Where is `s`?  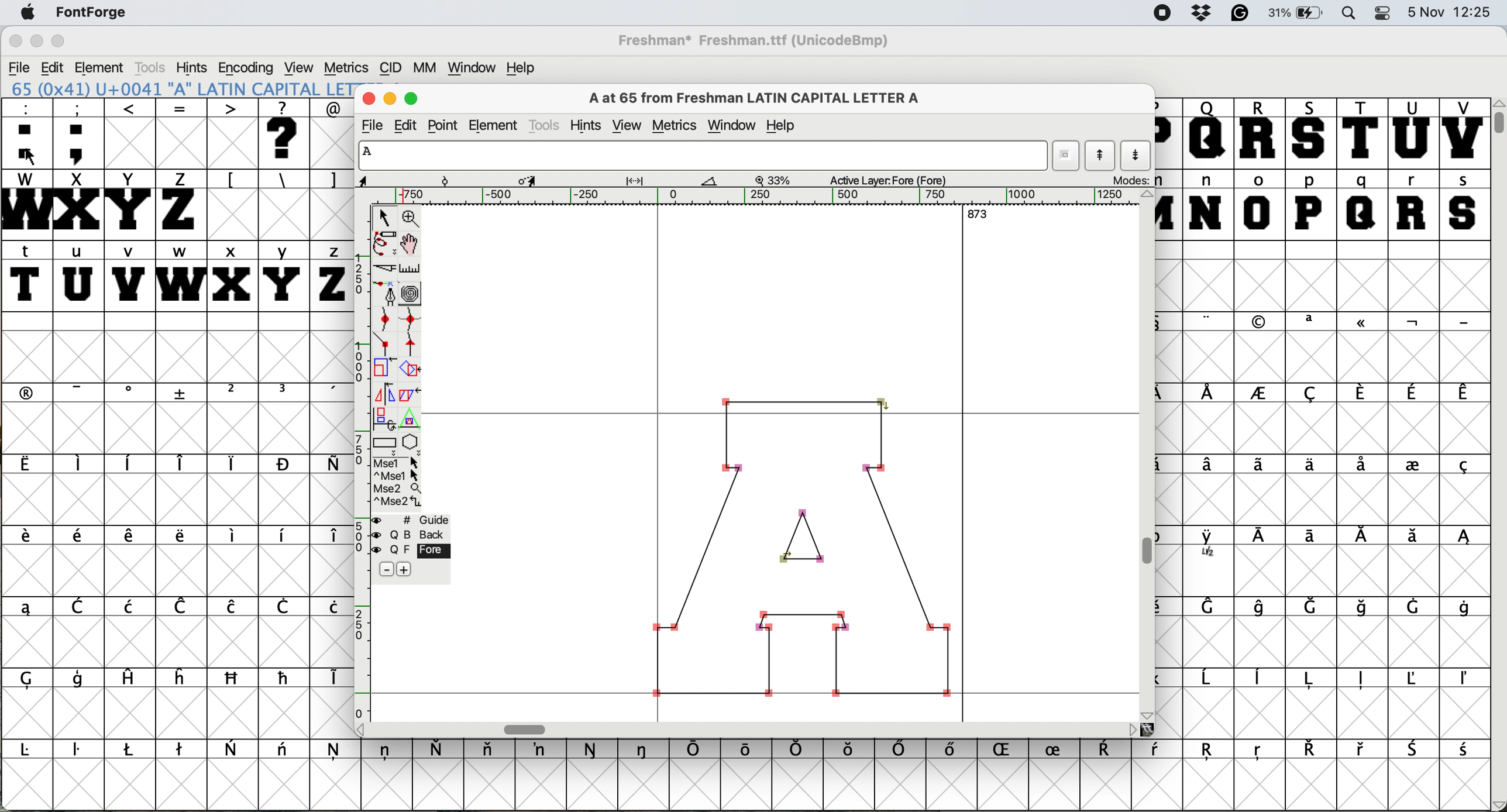 s is located at coordinates (1464, 204).